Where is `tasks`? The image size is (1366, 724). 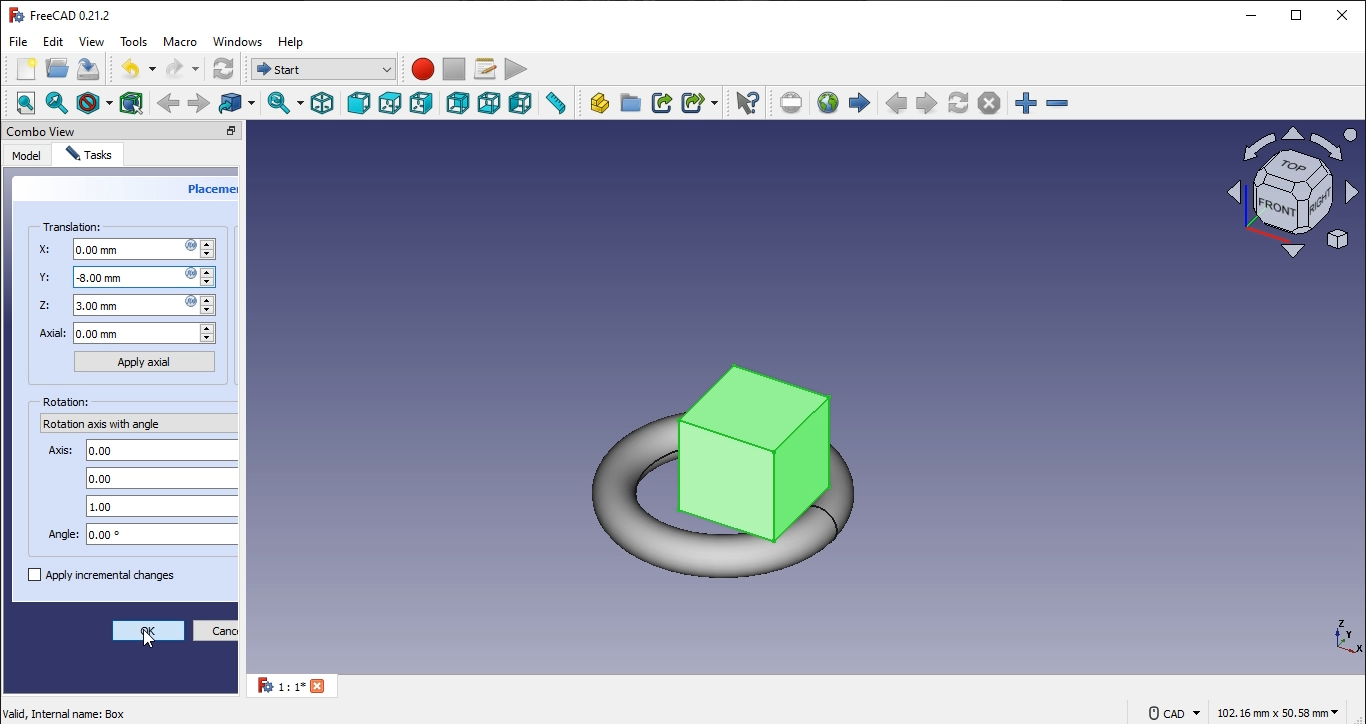
tasks is located at coordinates (88, 154).